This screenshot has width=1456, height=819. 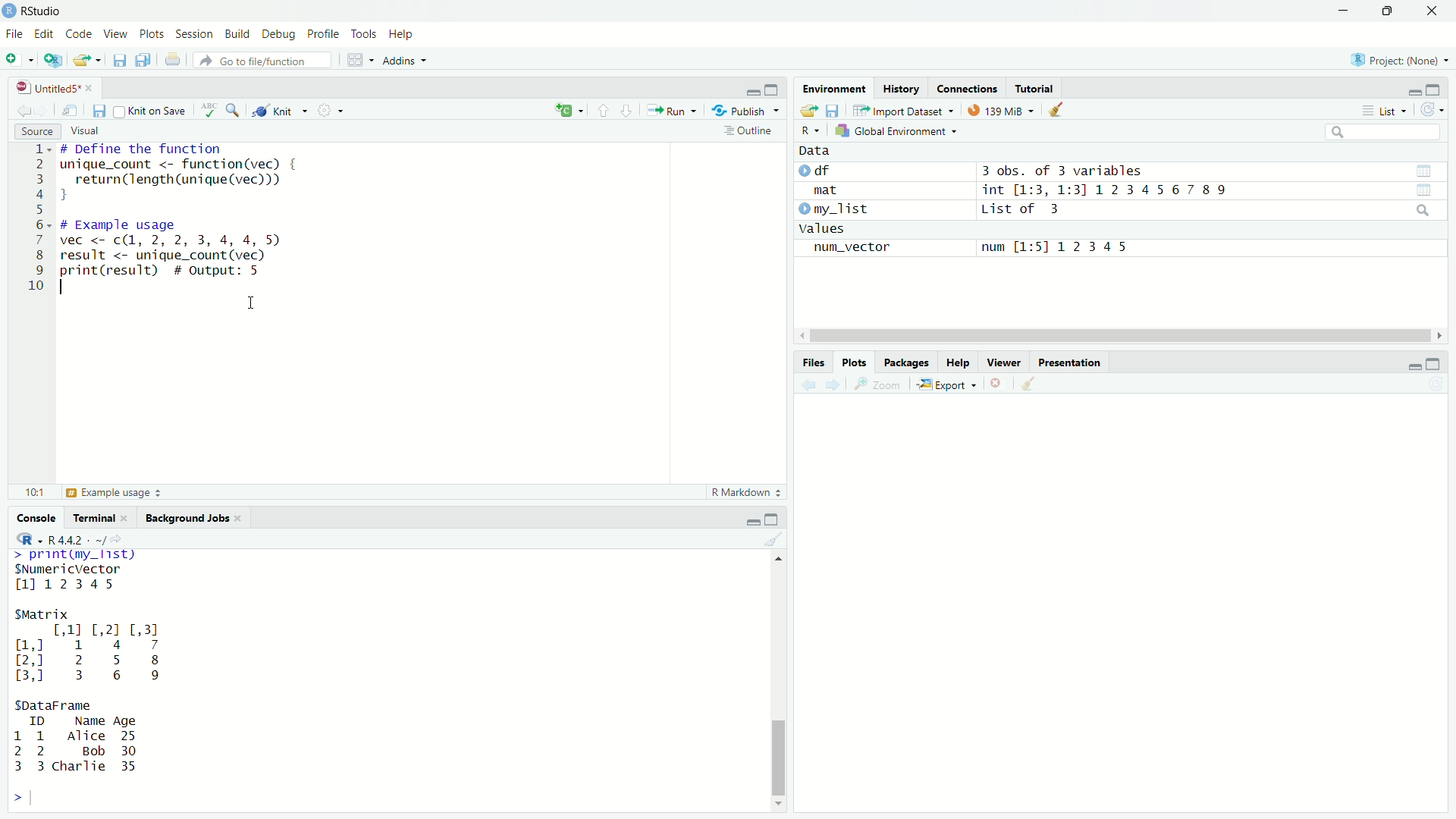 What do you see at coordinates (9, 11) in the screenshot?
I see `app icon` at bounding box center [9, 11].